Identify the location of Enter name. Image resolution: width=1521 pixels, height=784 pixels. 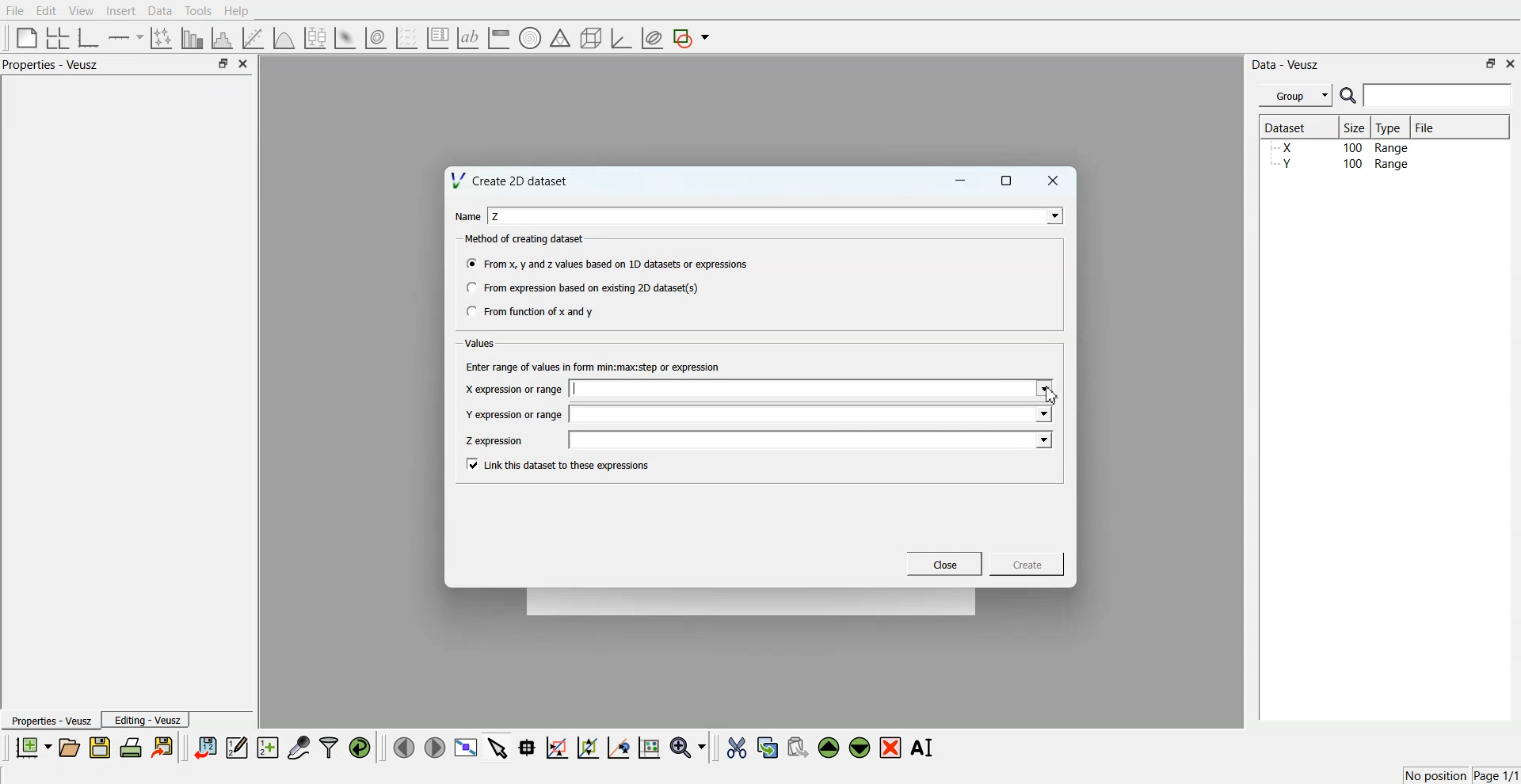
(813, 390).